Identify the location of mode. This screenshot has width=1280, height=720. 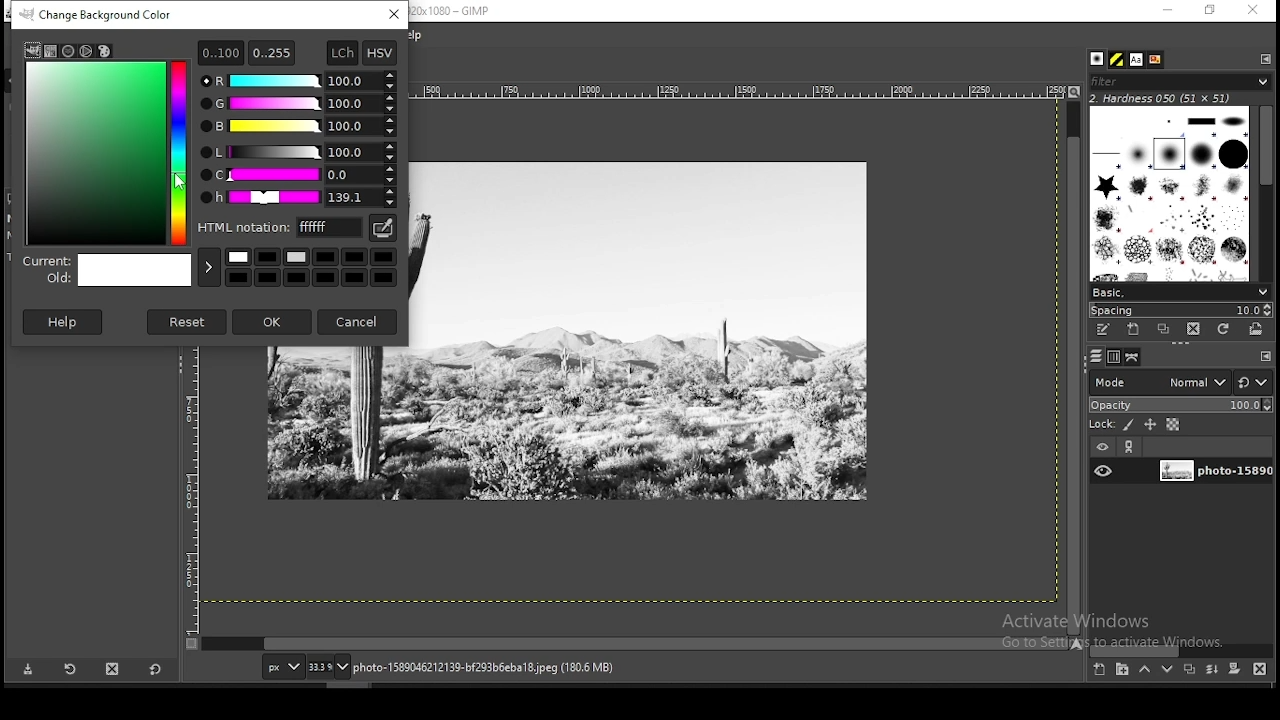
(1159, 381).